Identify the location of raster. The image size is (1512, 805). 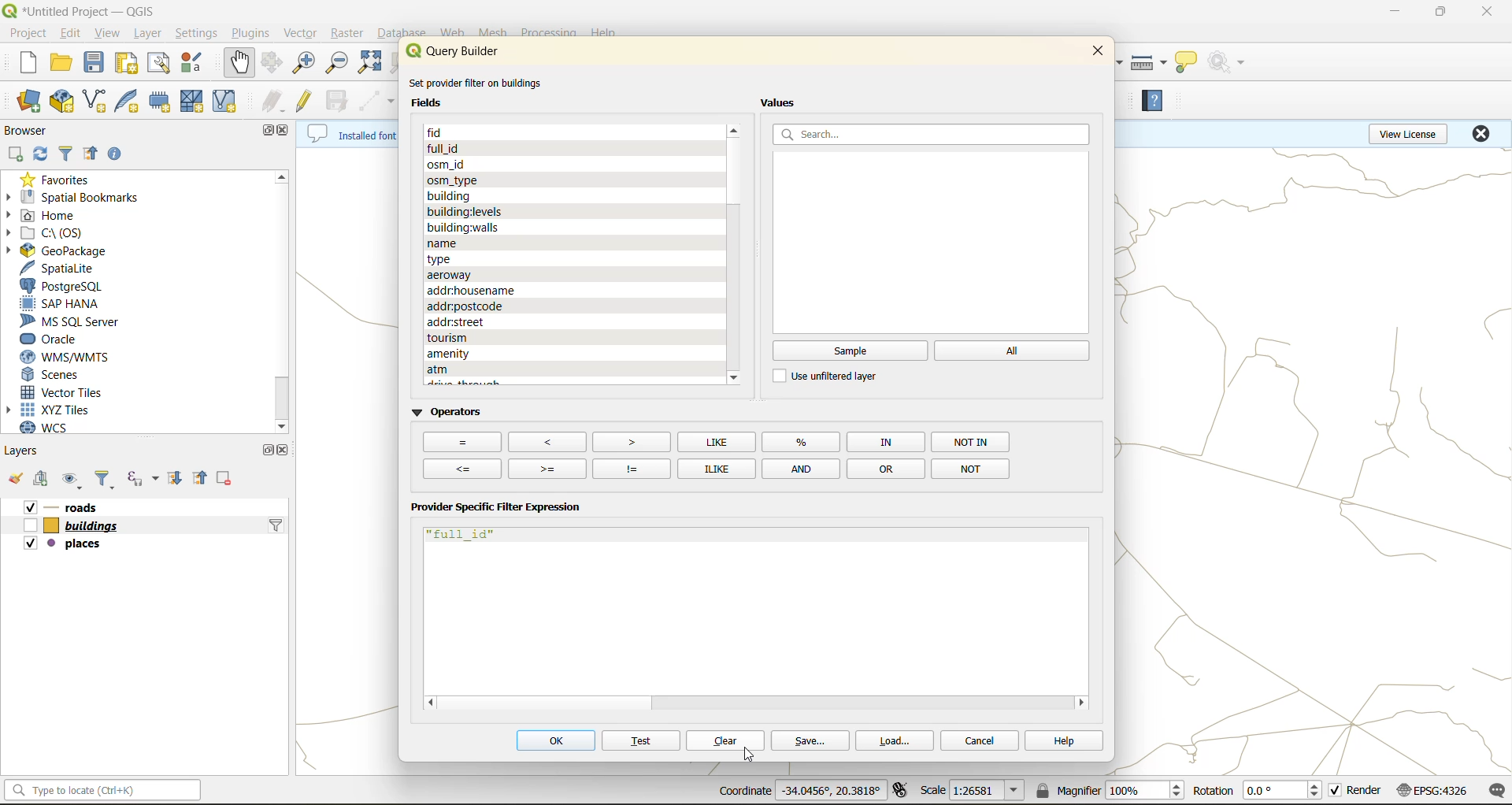
(343, 32).